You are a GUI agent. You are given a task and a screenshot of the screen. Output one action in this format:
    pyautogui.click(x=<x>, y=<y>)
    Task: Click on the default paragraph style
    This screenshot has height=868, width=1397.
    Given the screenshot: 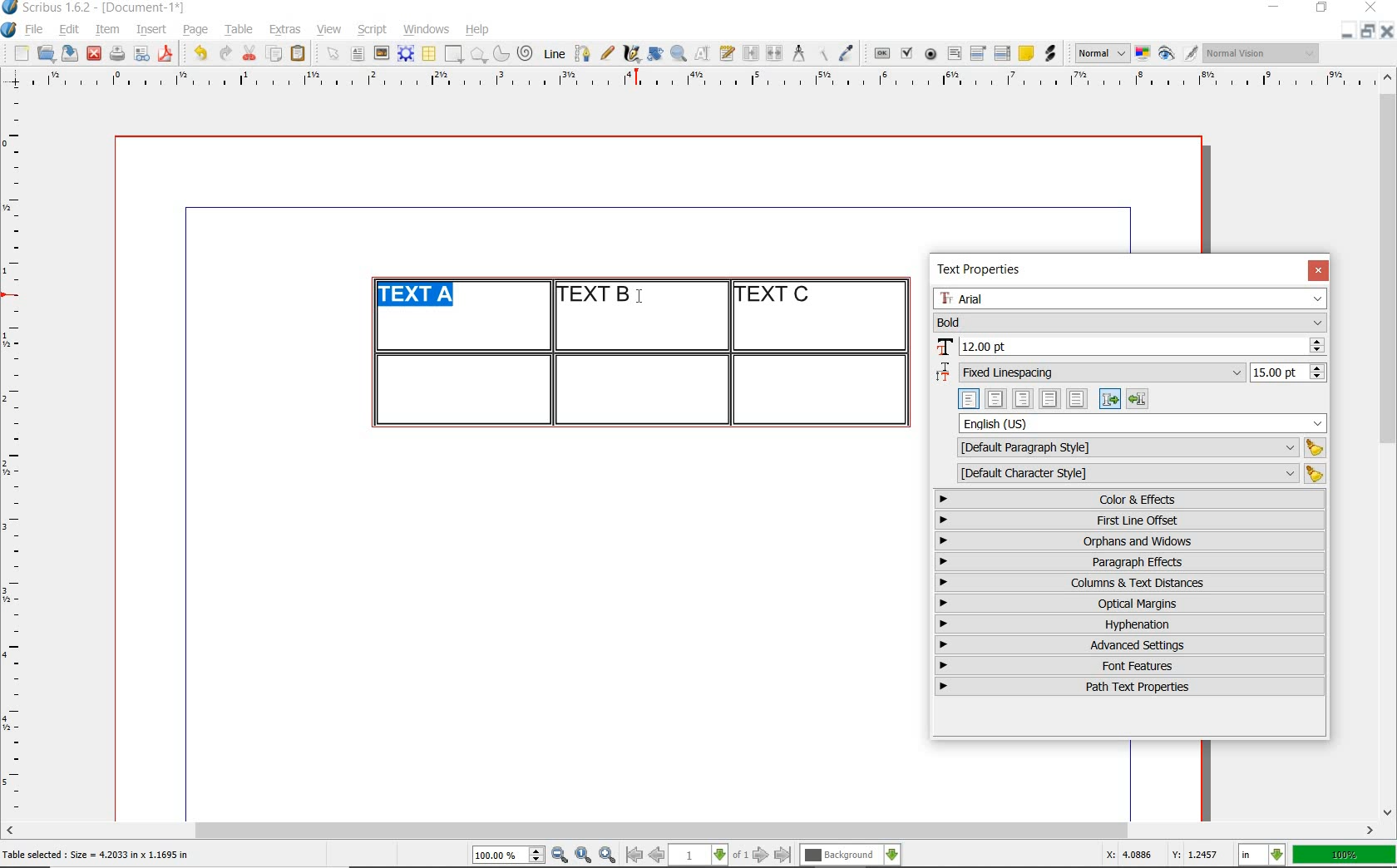 What is the action you would take?
    pyautogui.click(x=1138, y=448)
    